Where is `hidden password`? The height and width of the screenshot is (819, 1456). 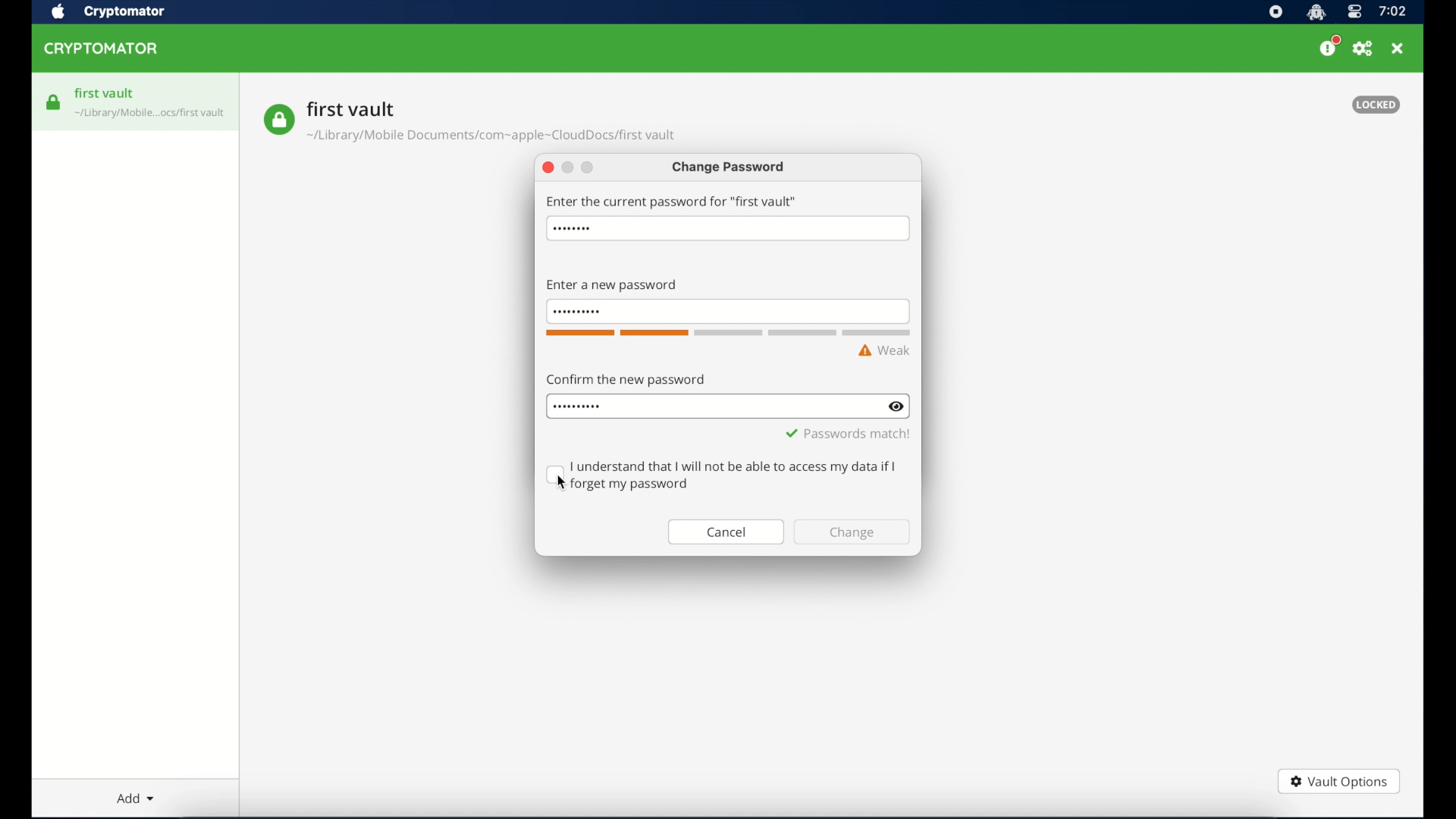 hidden password is located at coordinates (572, 229).